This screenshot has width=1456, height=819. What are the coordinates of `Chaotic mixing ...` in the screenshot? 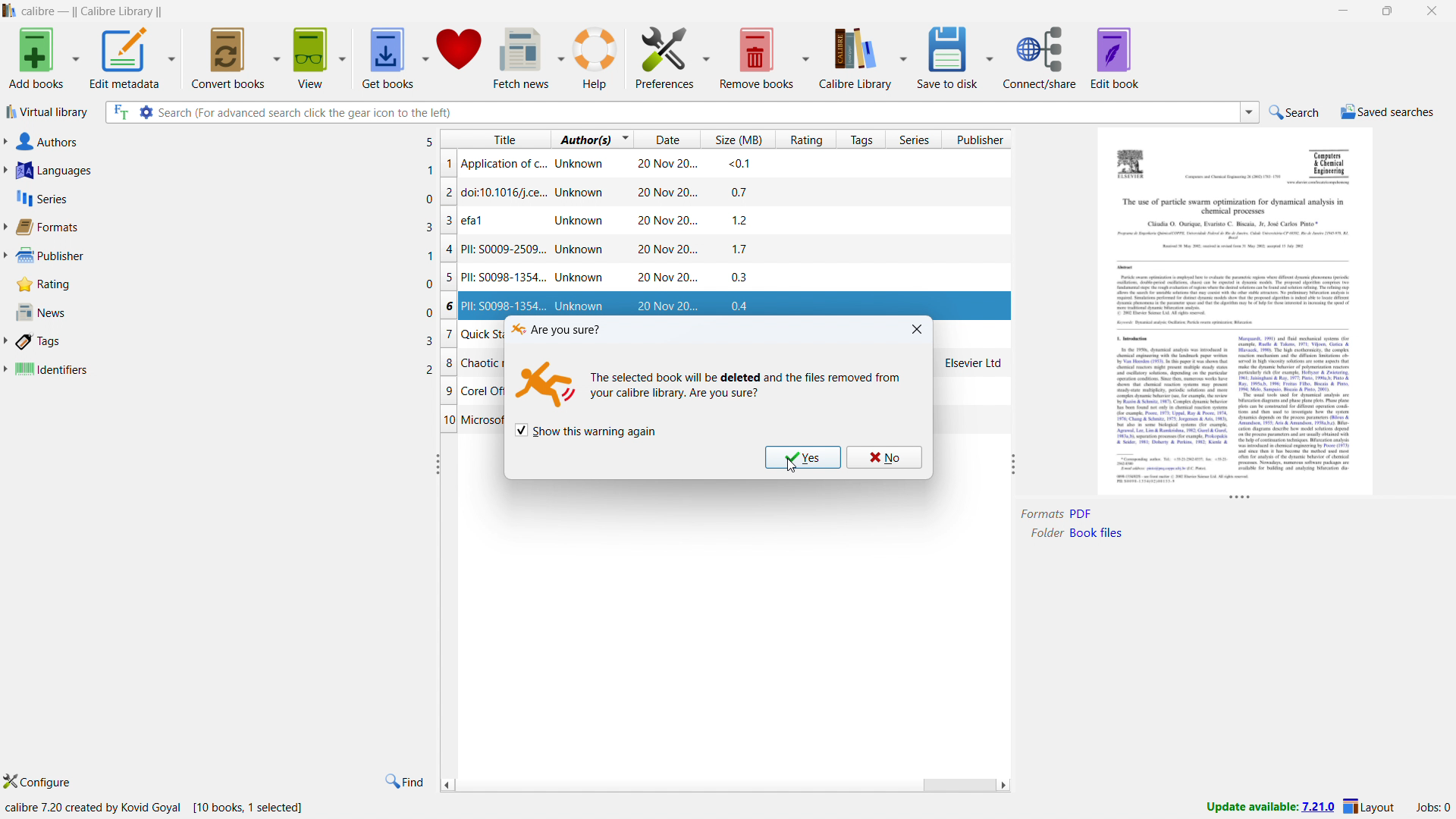 It's located at (472, 361).